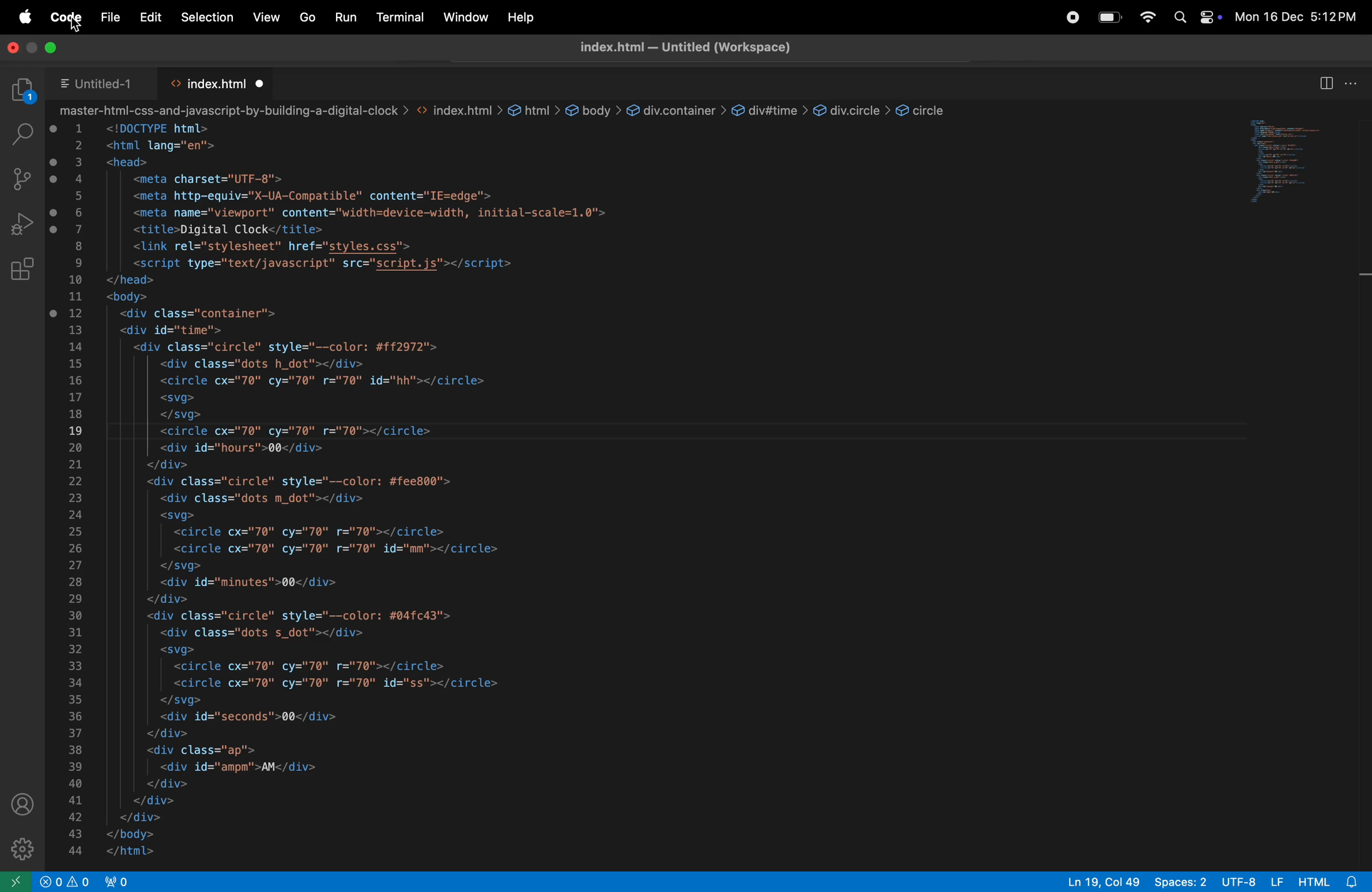 Image resolution: width=1372 pixels, height=892 pixels. I want to click on <div class="circle" style="--color: #fee800">, so click(299, 481).